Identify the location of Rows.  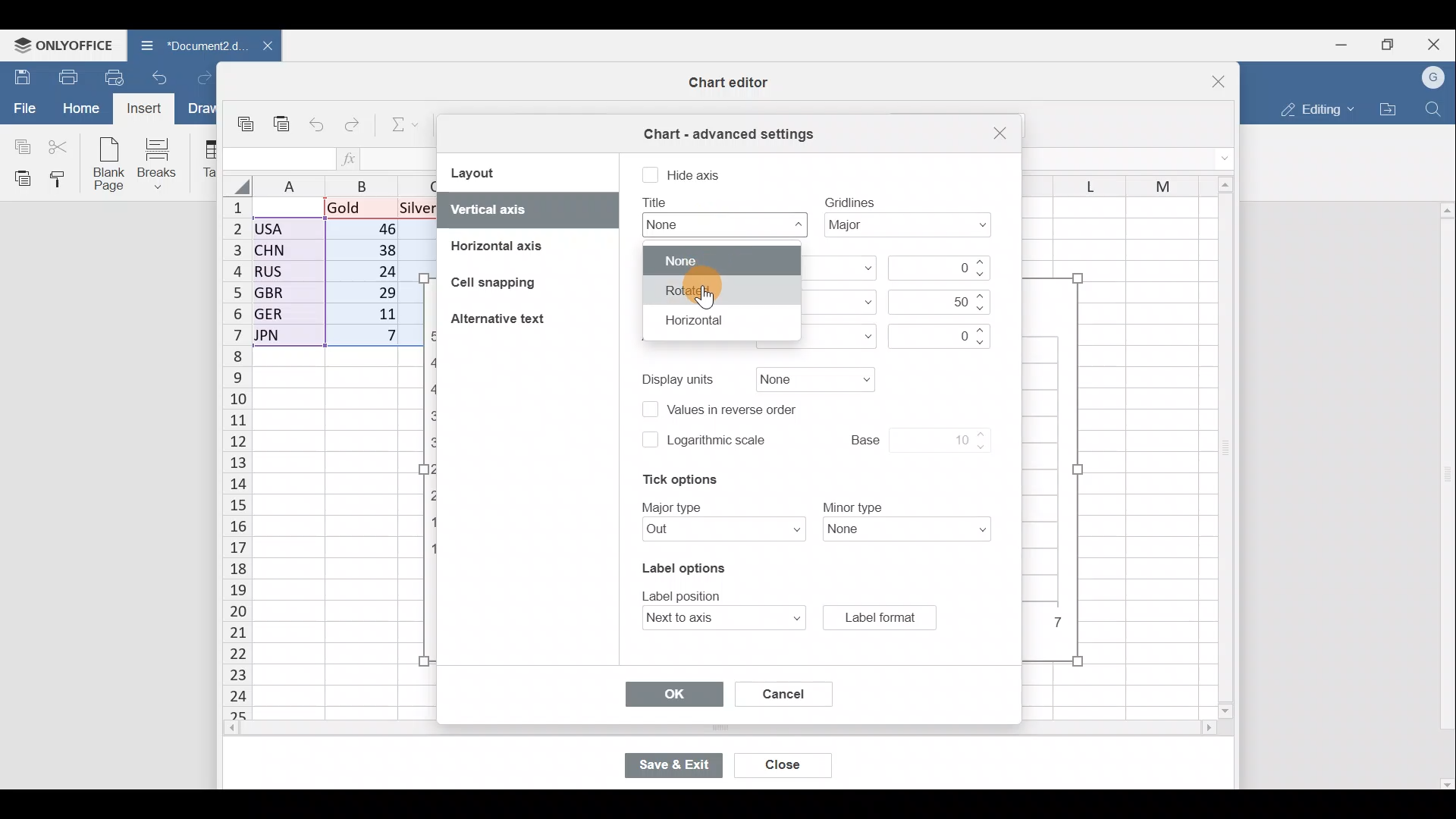
(227, 460).